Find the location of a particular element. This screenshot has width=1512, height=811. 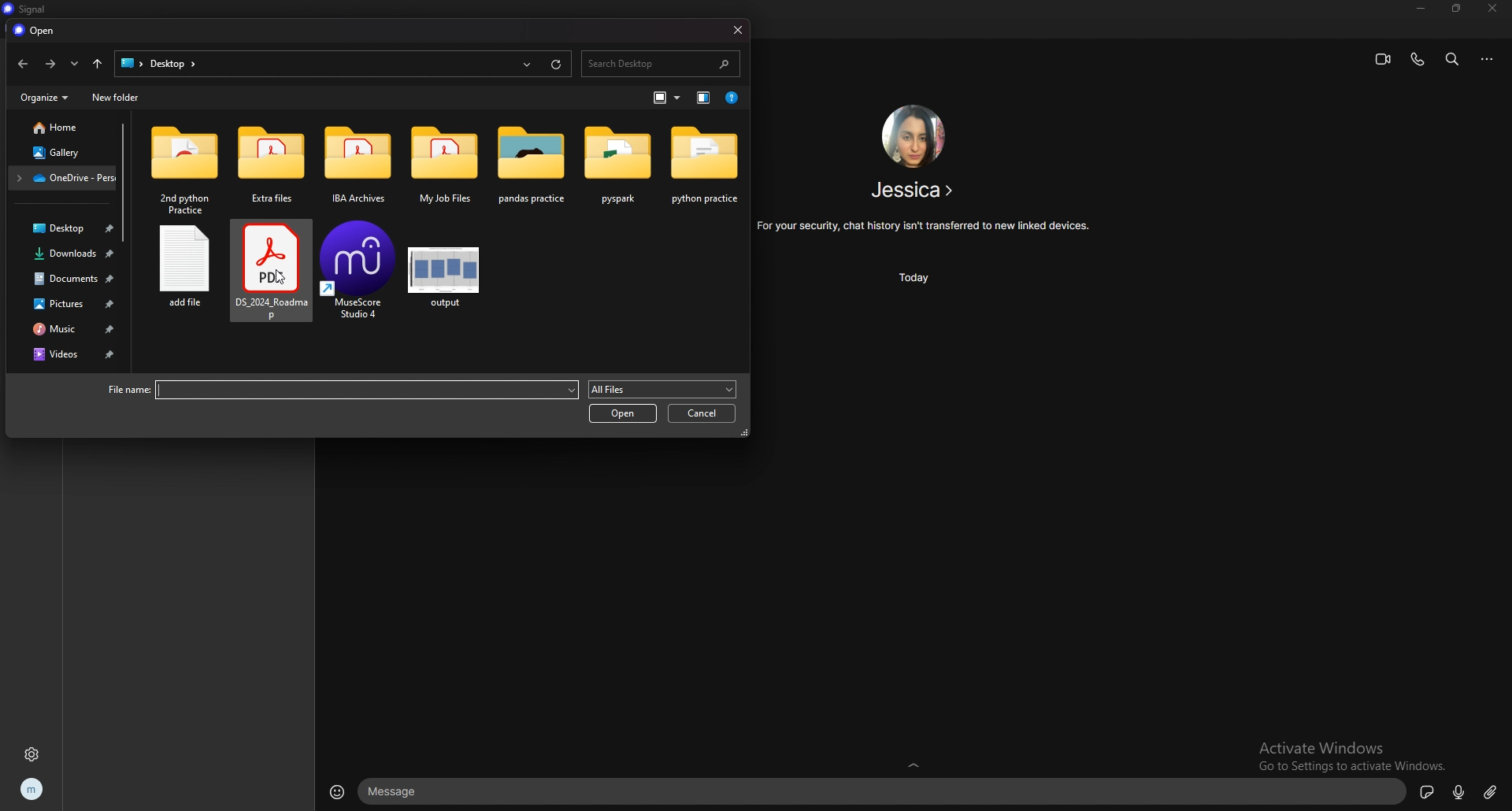

signal is located at coordinates (24, 9).